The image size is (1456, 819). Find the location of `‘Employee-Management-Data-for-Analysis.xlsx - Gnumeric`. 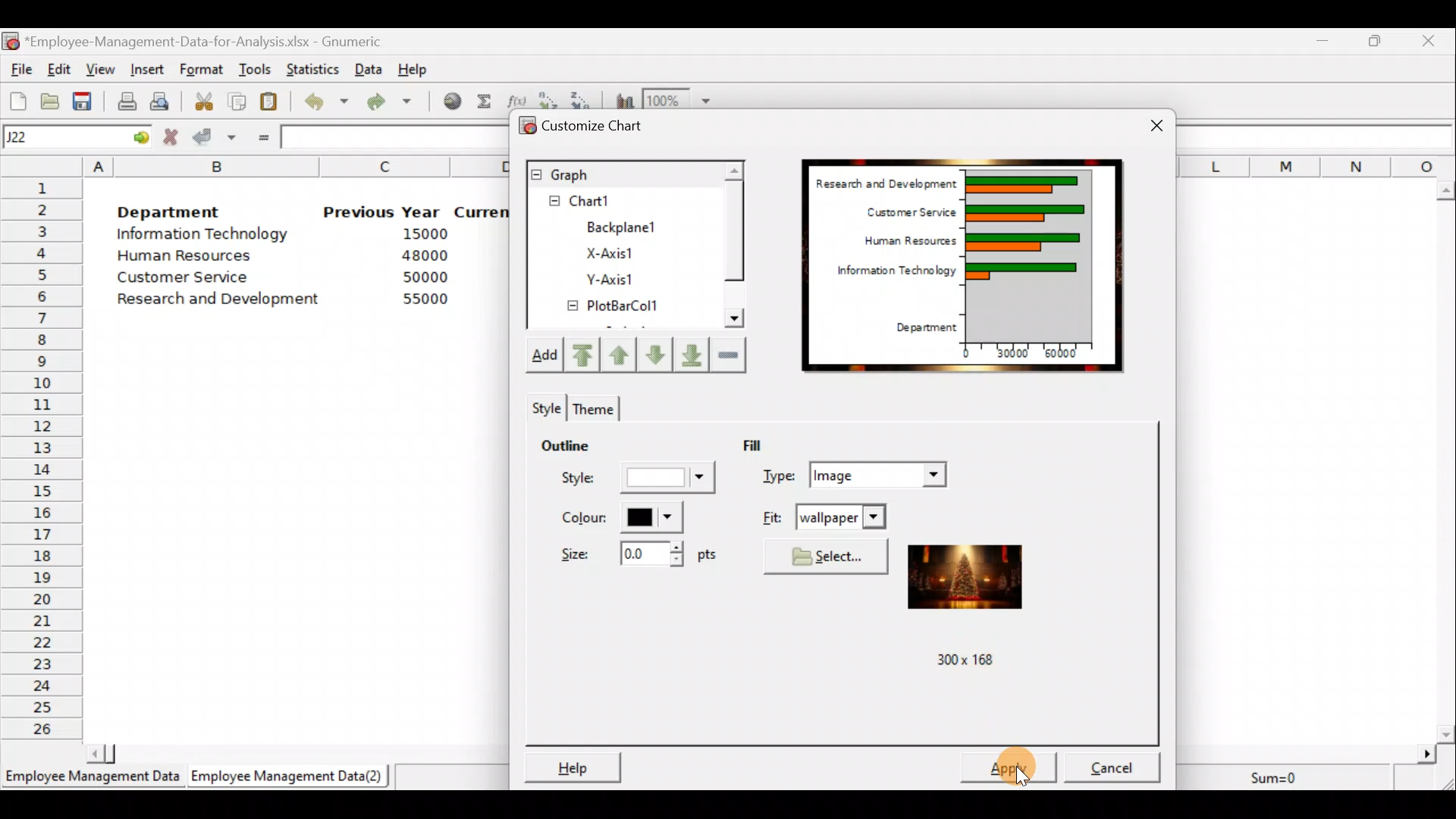

‘Employee-Management-Data-for-Analysis.xlsx - Gnumeric is located at coordinates (219, 42).